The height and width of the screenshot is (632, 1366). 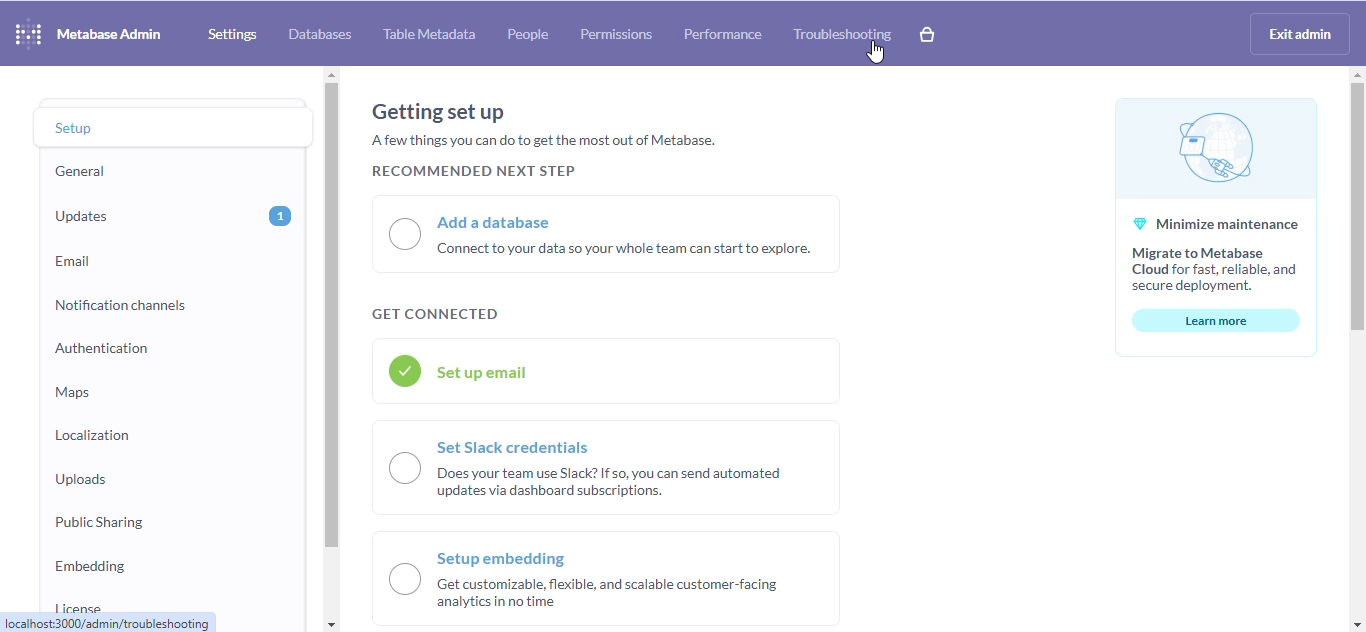 I want to click on general, so click(x=81, y=172).